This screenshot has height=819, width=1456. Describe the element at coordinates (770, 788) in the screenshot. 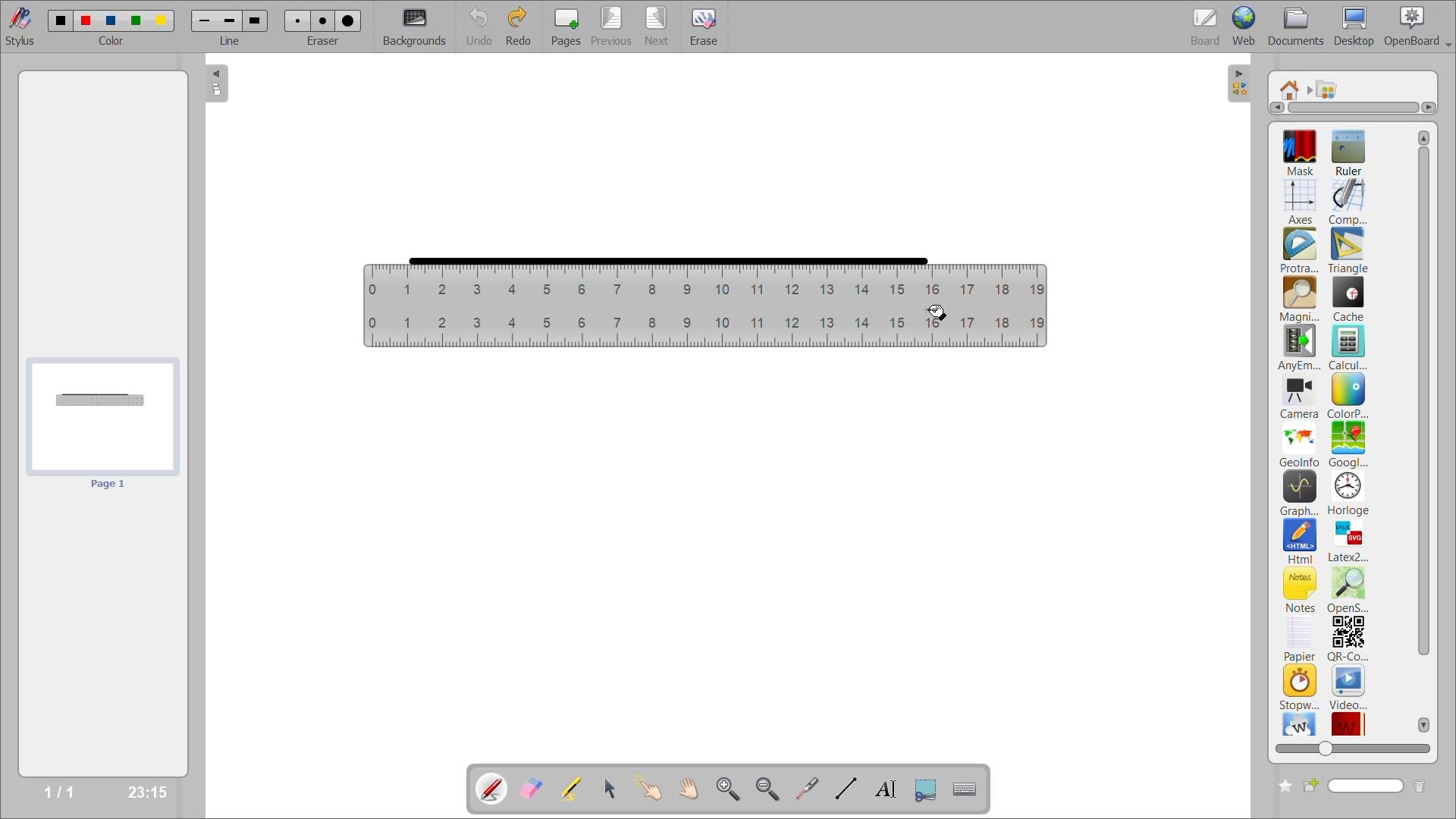

I see `zoom out` at that location.